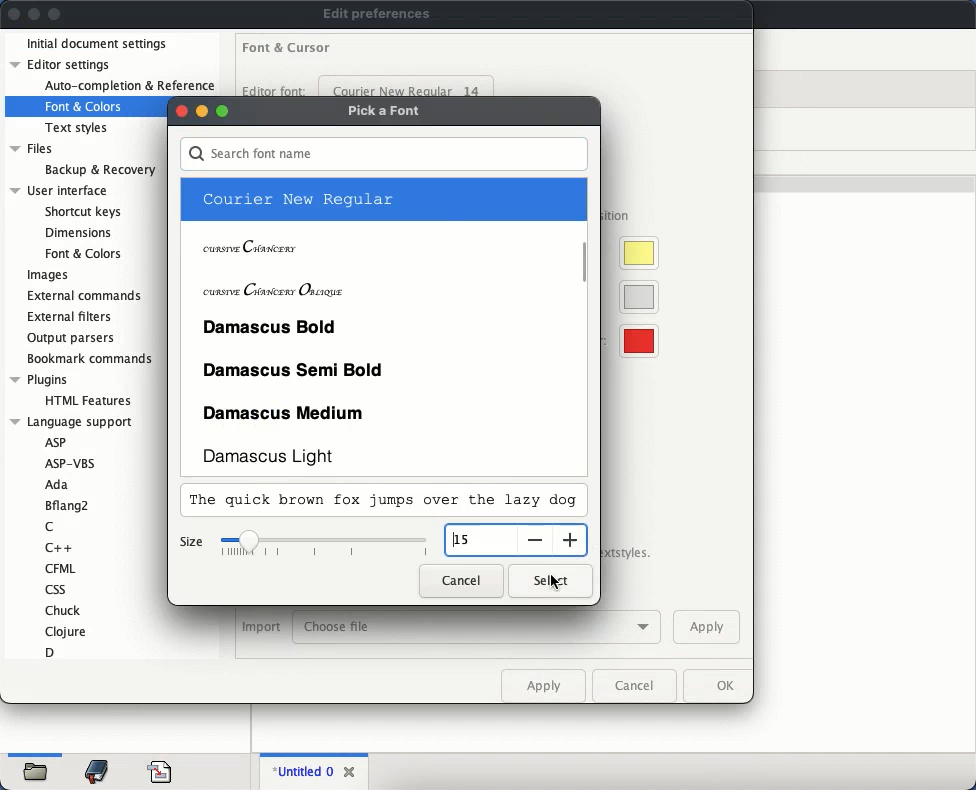 The width and height of the screenshot is (976, 790). What do you see at coordinates (55, 15) in the screenshot?
I see `maximize` at bounding box center [55, 15].